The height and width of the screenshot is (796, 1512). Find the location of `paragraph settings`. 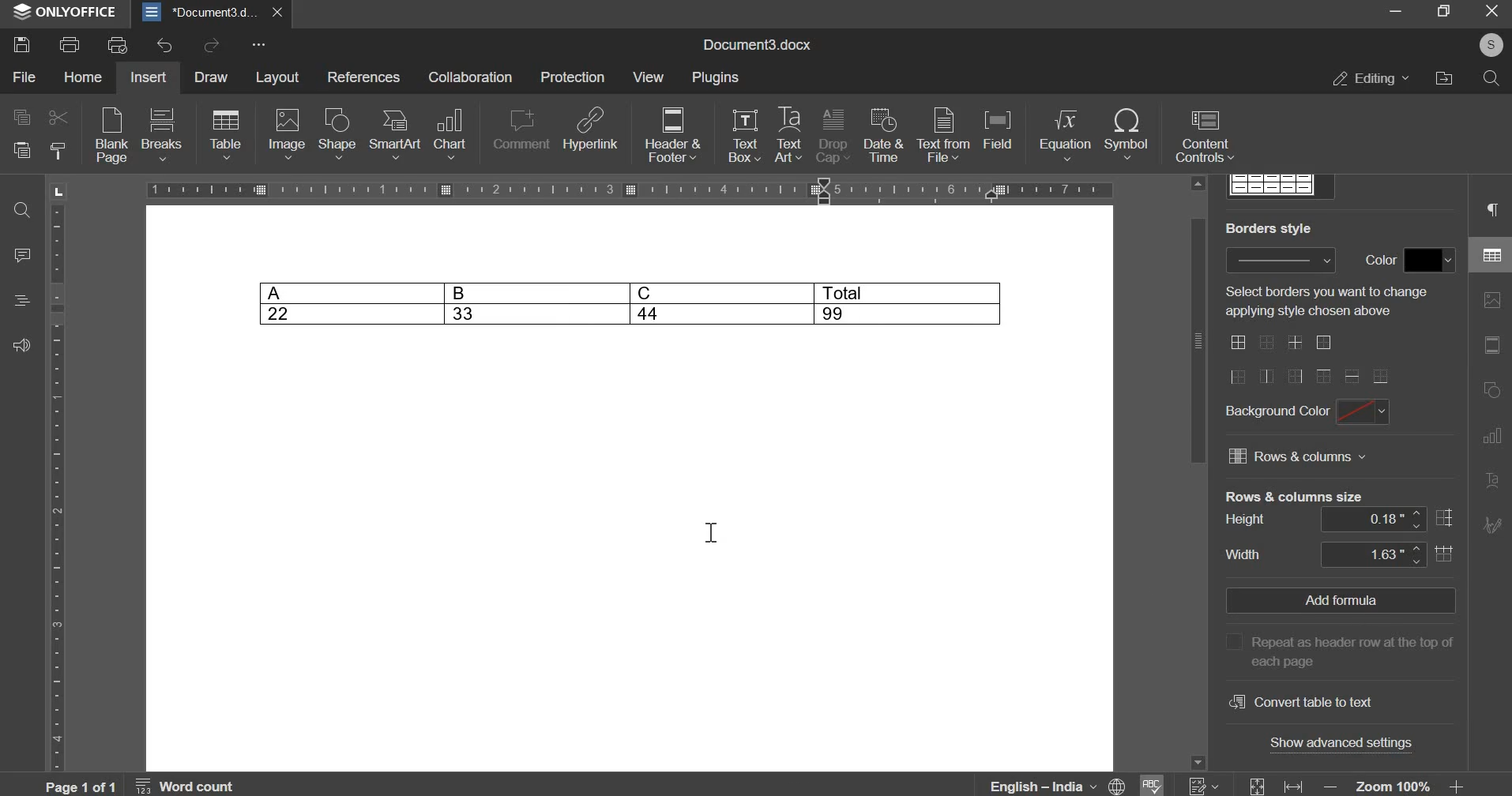

paragraph settings is located at coordinates (1494, 209).